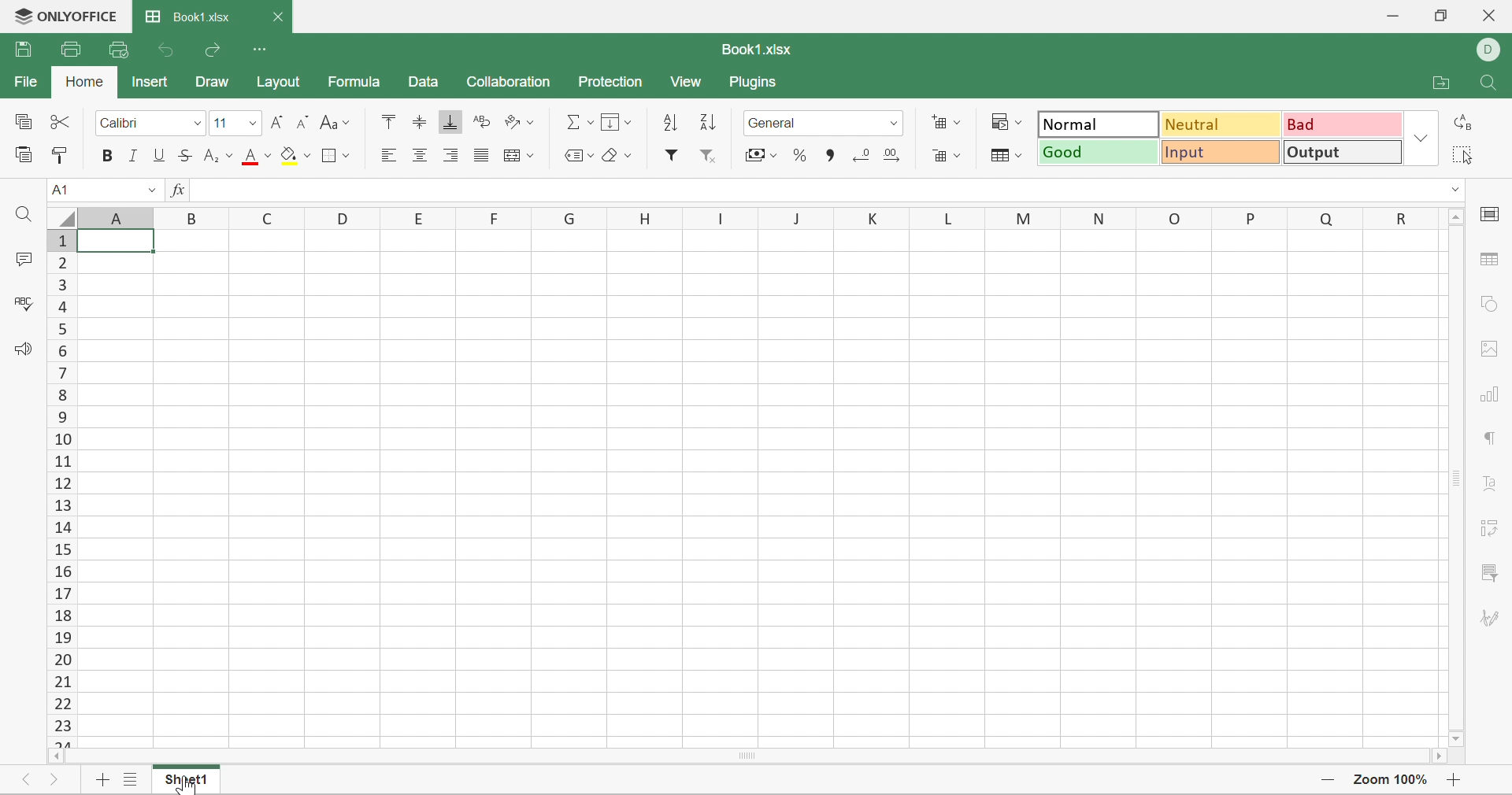 Image resolution: width=1512 pixels, height=795 pixels. What do you see at coordinates (1340, 151) in the screenshot?
I see `Output` at bounding box center [1340, 151].